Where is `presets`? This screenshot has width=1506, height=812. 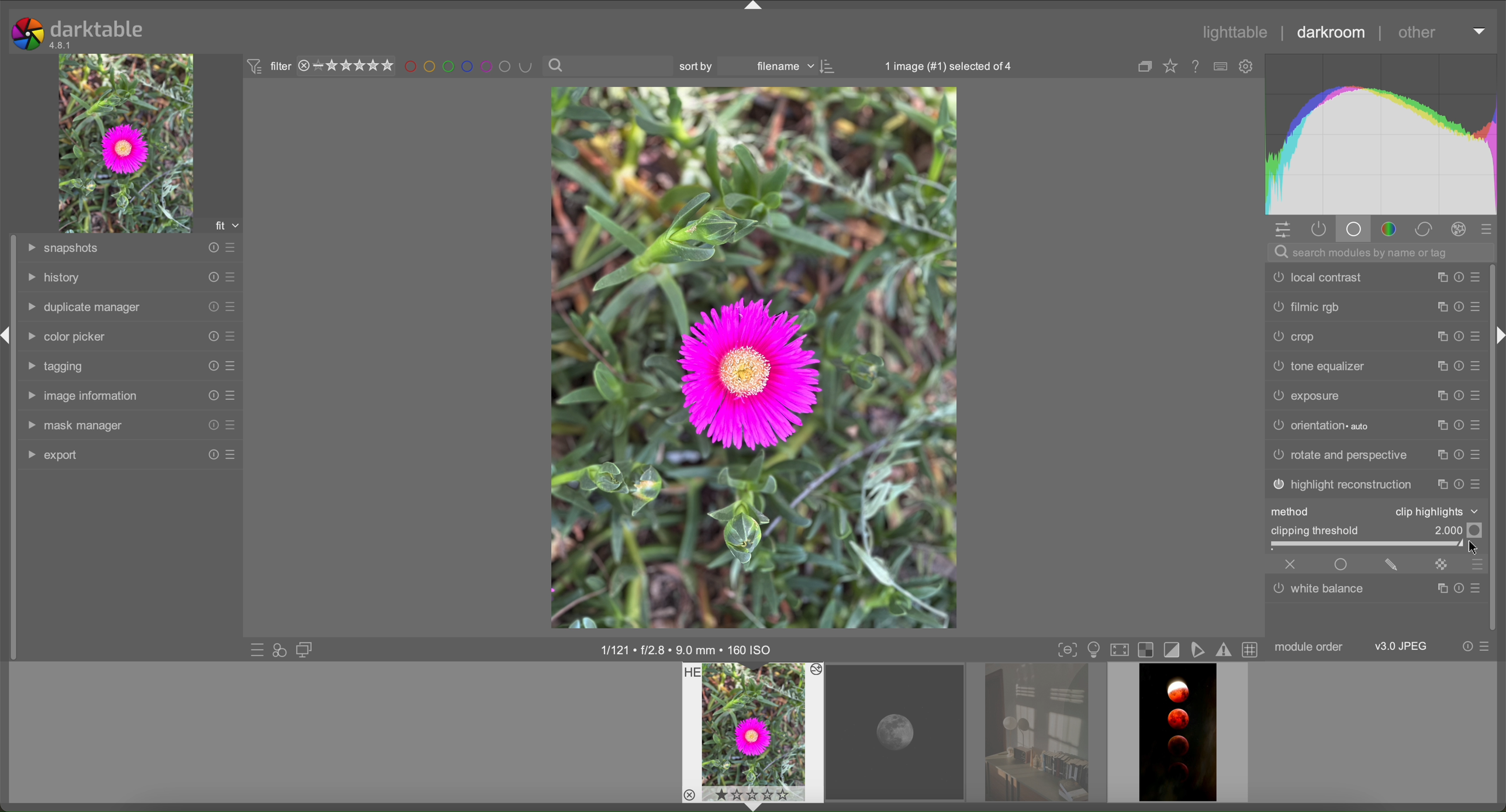
presets is located at coordinates (230, 335).